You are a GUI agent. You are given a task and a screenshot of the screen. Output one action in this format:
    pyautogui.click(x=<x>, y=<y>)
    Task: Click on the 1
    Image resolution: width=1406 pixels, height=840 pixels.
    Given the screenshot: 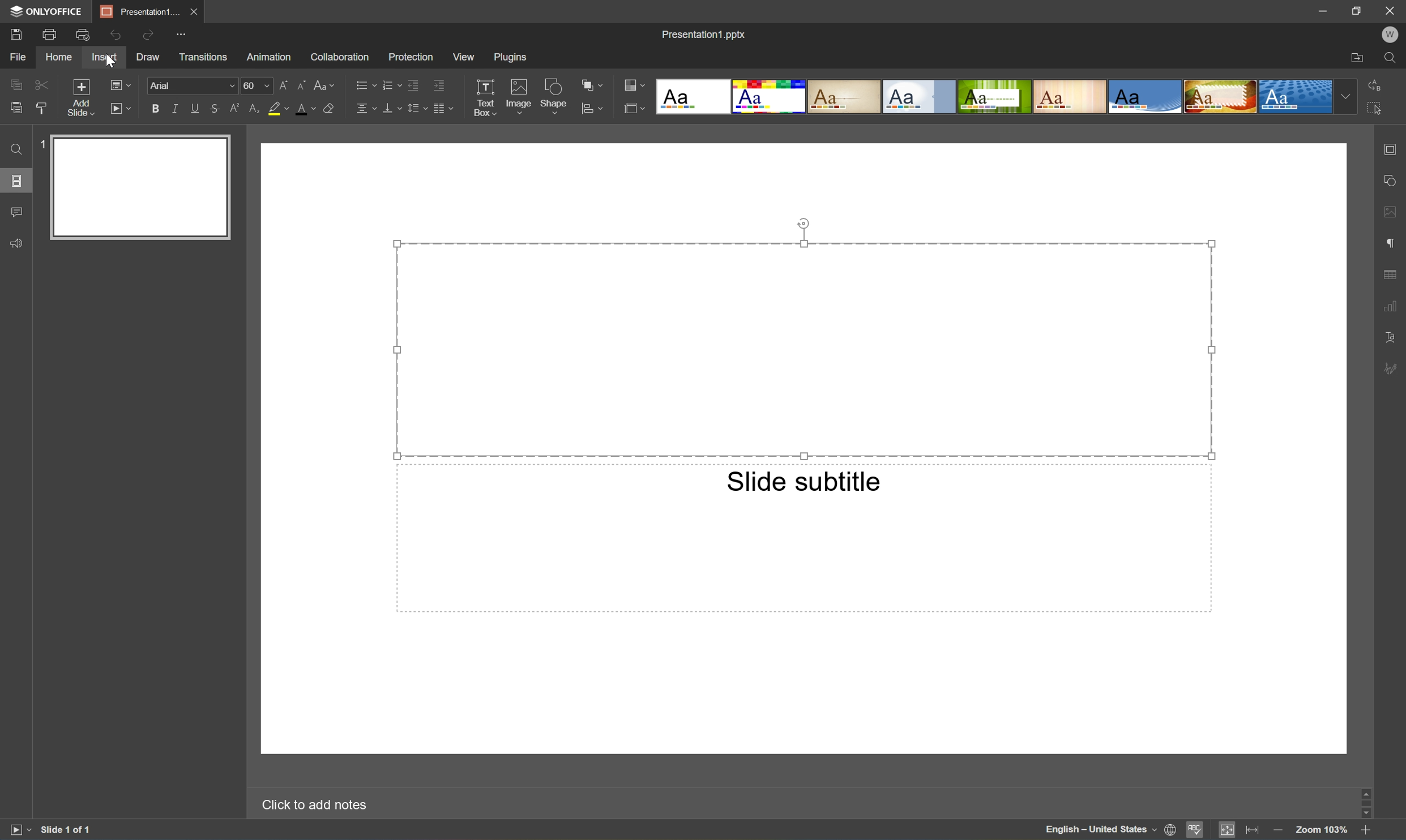 What is the action you would take?
    pyautogui.click(x=41, y=143)
    